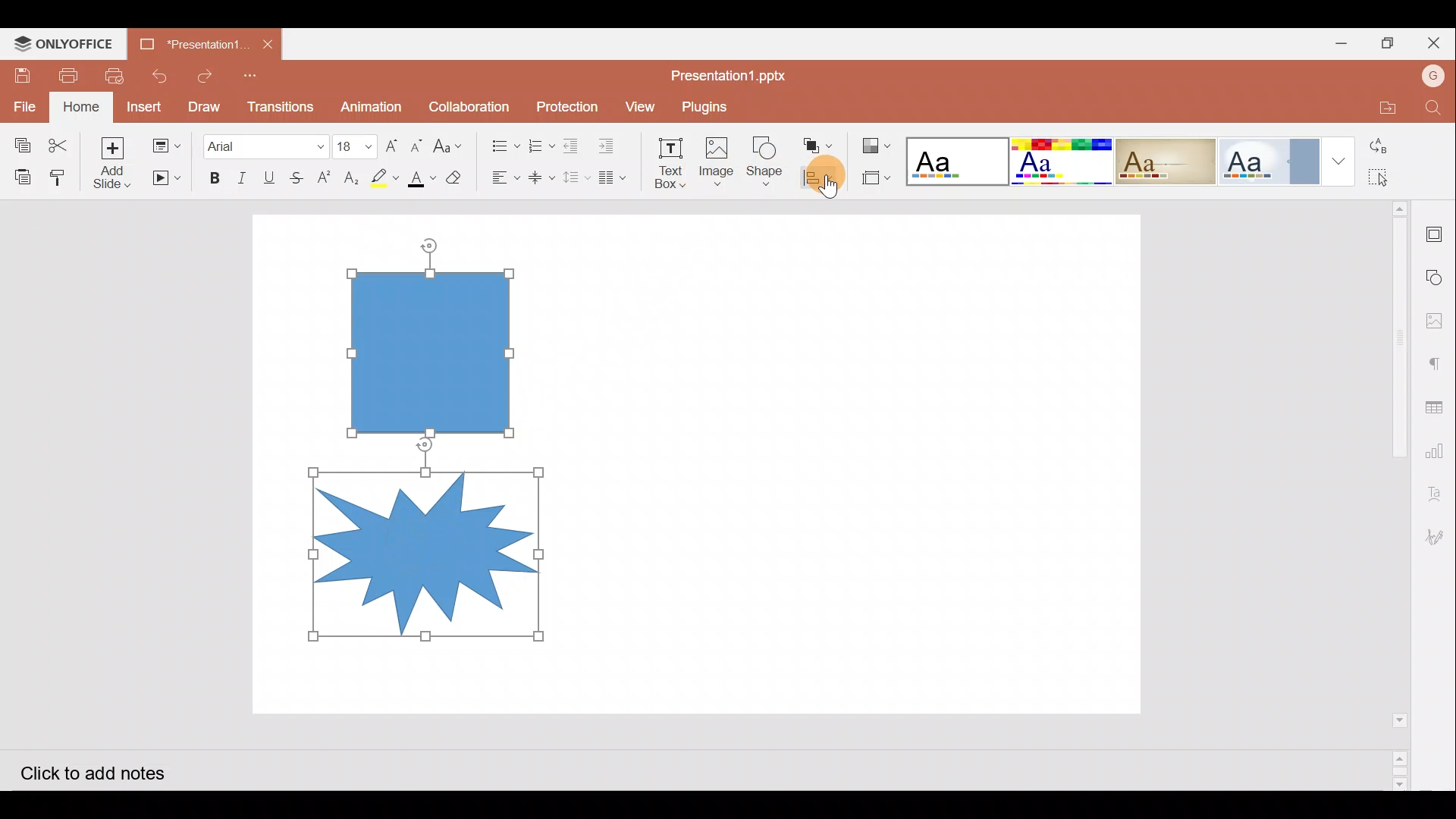 The width and height of the screenshot is (1456, 819). I want to click on Presentation1., so click(188, 45).